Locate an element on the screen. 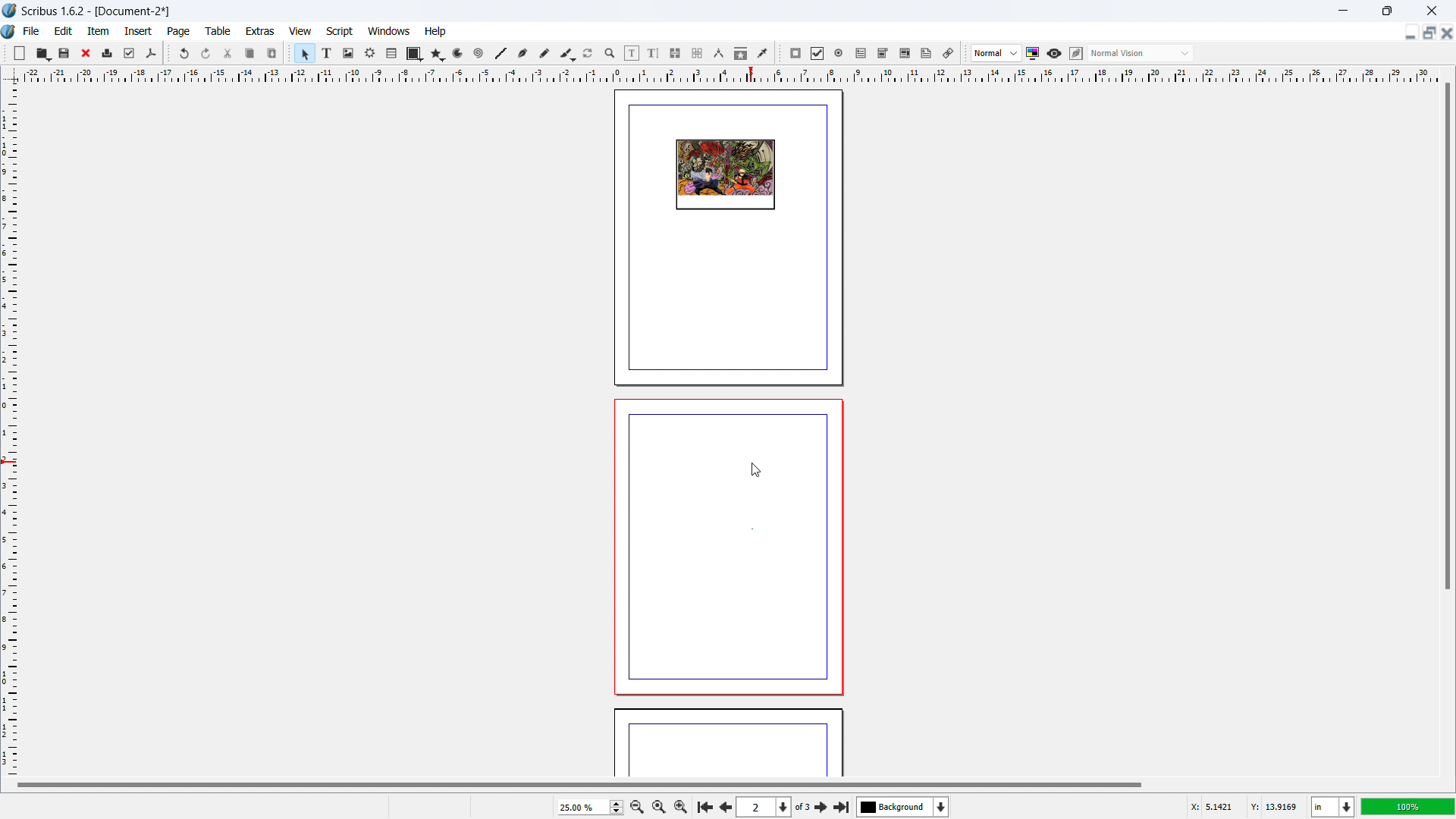 The height and width of the screenshot is (819, 1456). save as pdf is located at coordinates (150, 54).